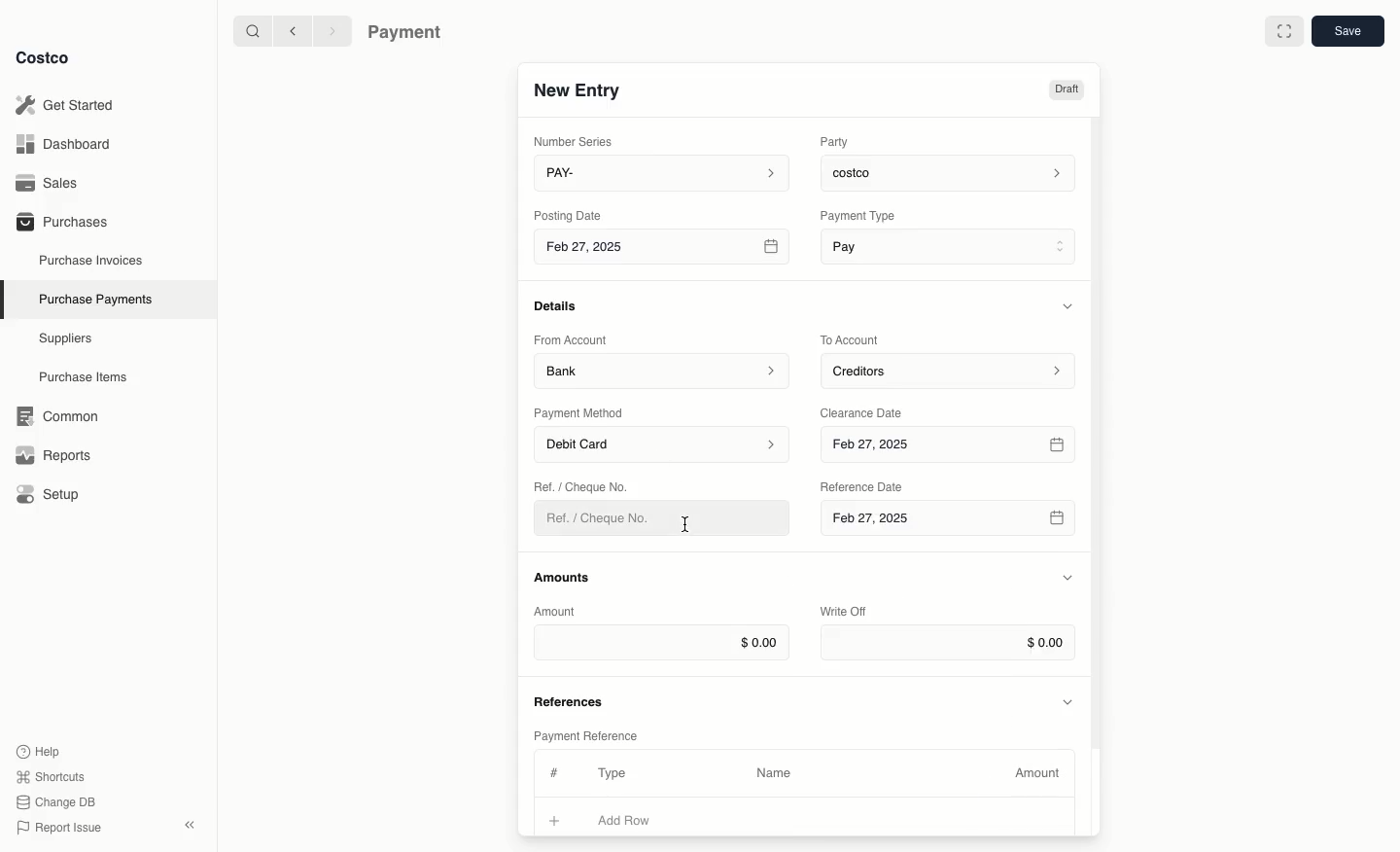 This screenshot has width=1400, height=852. I want to click on Type, so click(616, 773).